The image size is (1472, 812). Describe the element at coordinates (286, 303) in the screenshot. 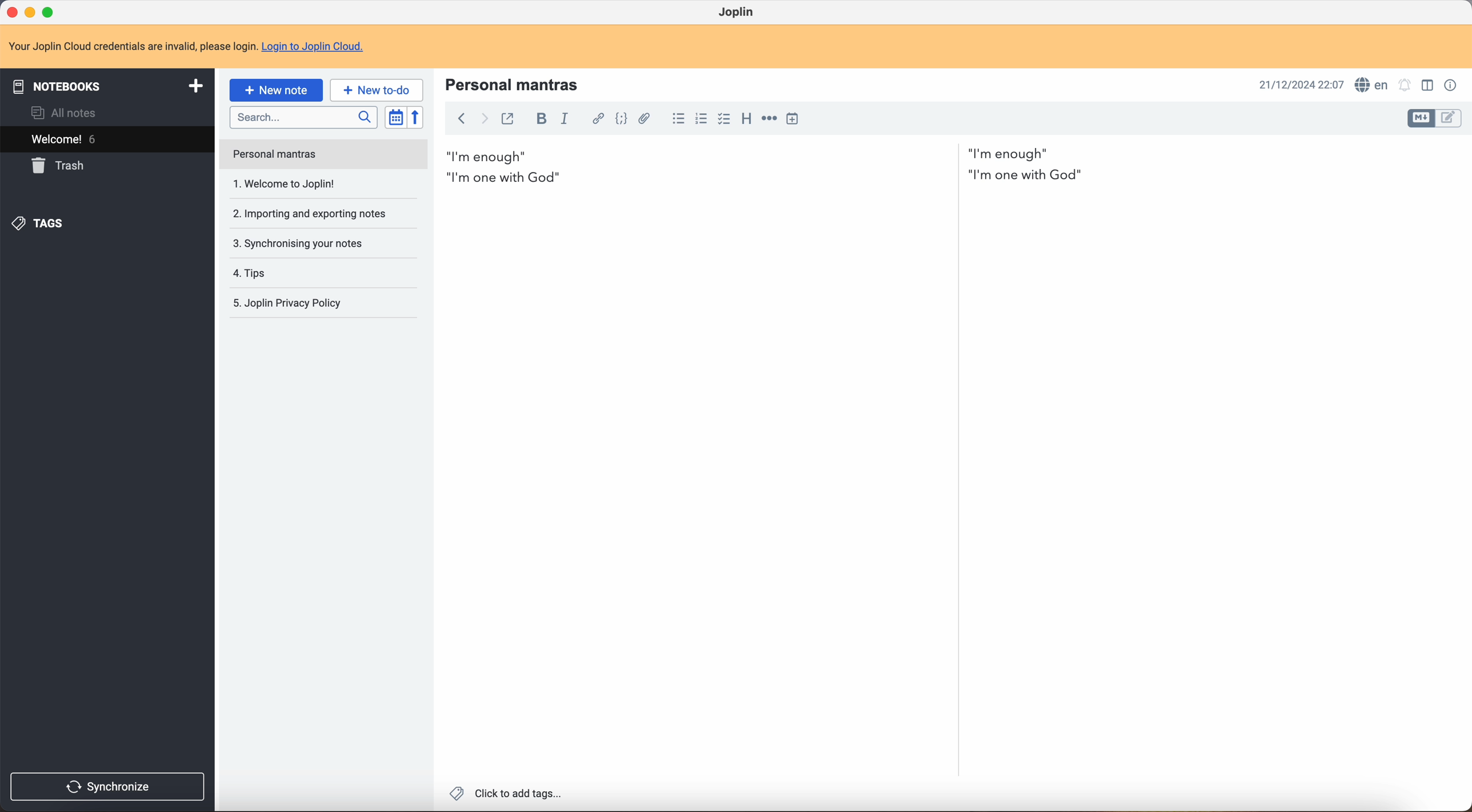

I see `Joplin privacy p olicy` at that location.